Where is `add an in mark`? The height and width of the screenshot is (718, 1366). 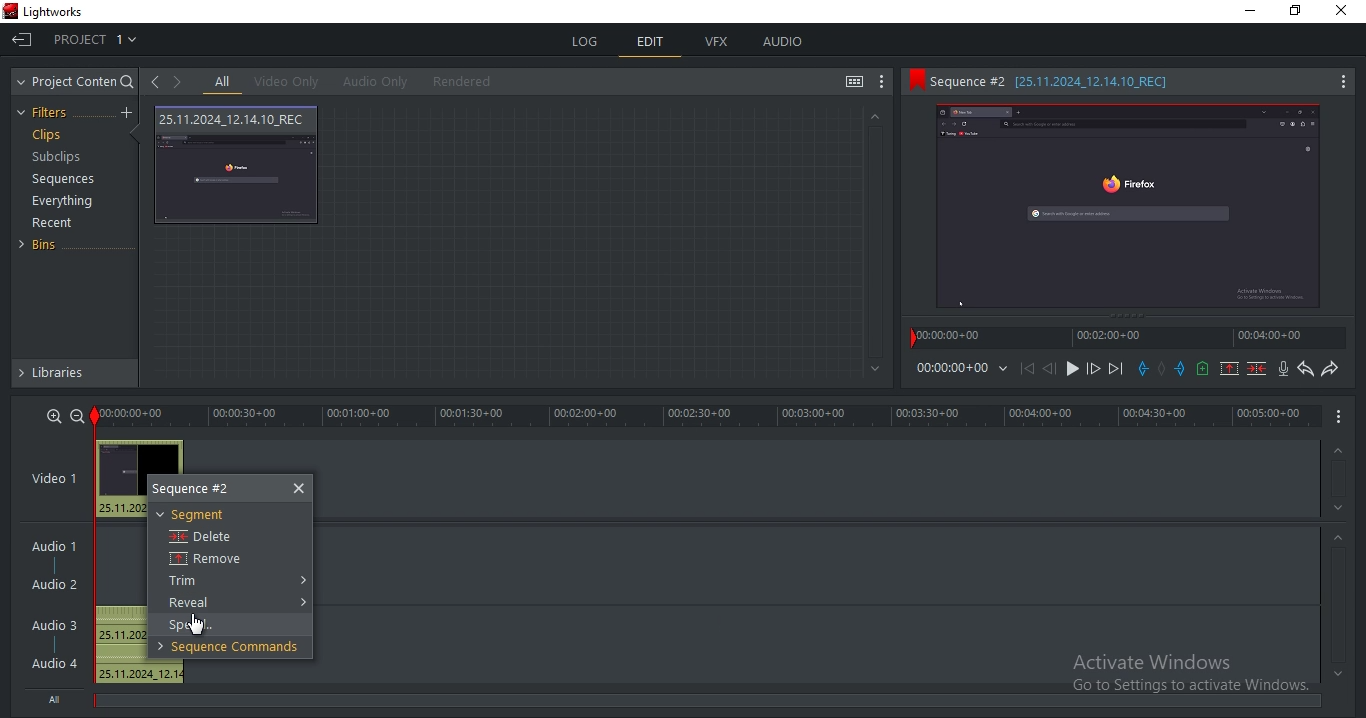 add an in mark is located at coordinates (1142, 369).